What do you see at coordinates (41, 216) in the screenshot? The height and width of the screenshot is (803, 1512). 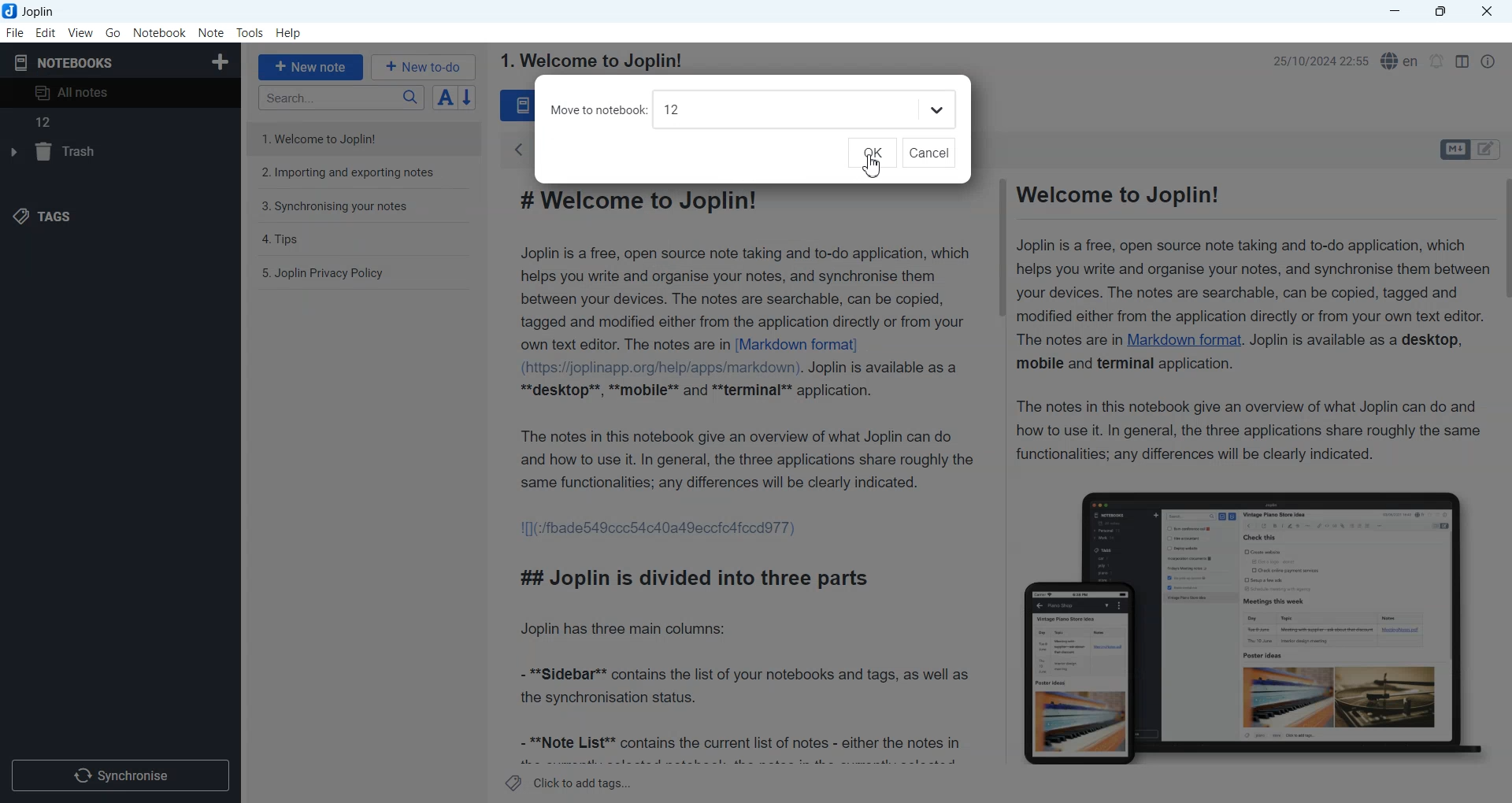 I see `Tags` at bounding box center [41, 216].